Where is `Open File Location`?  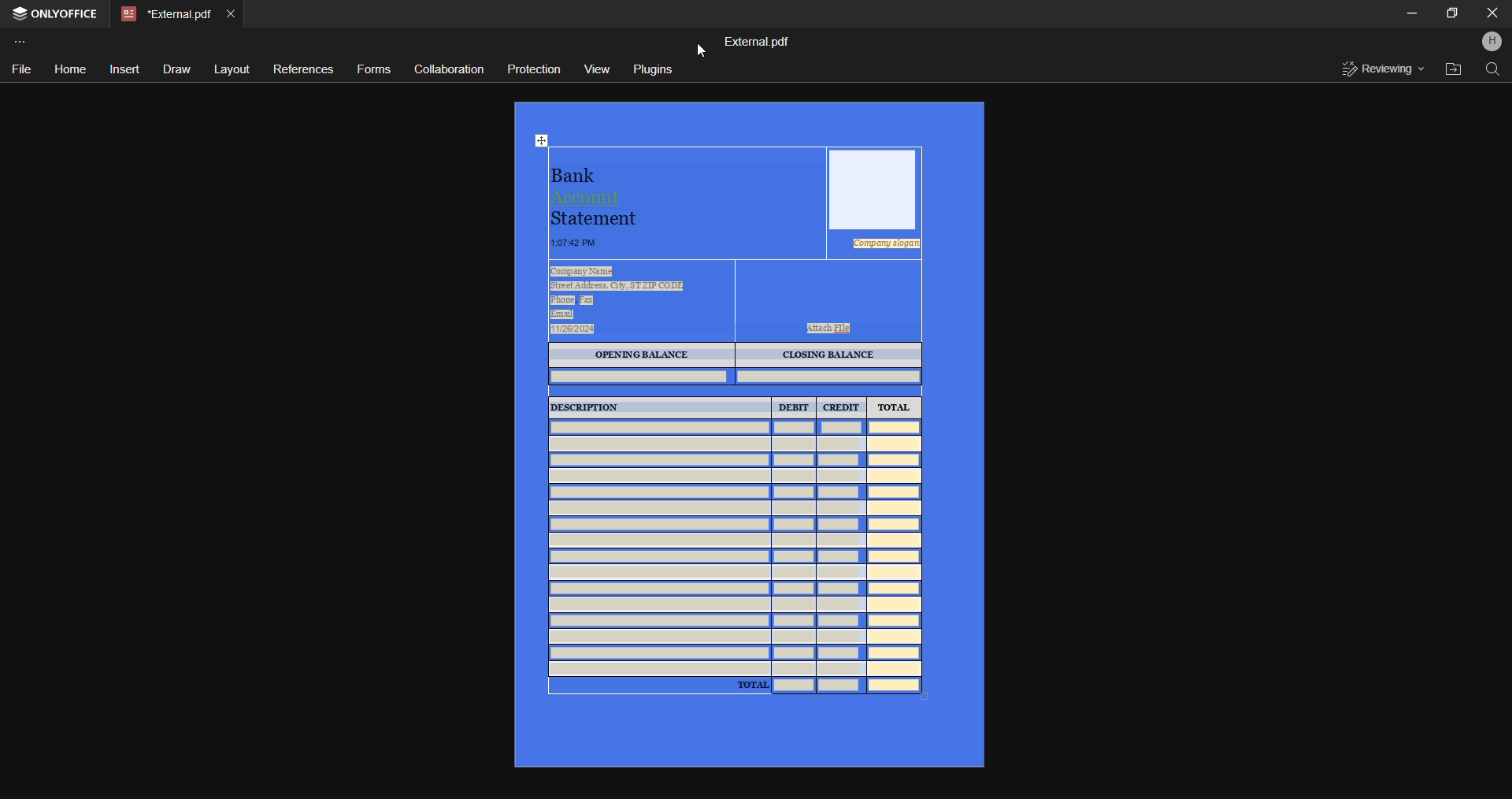
Open File Location is located at coordinates (1452, 70).